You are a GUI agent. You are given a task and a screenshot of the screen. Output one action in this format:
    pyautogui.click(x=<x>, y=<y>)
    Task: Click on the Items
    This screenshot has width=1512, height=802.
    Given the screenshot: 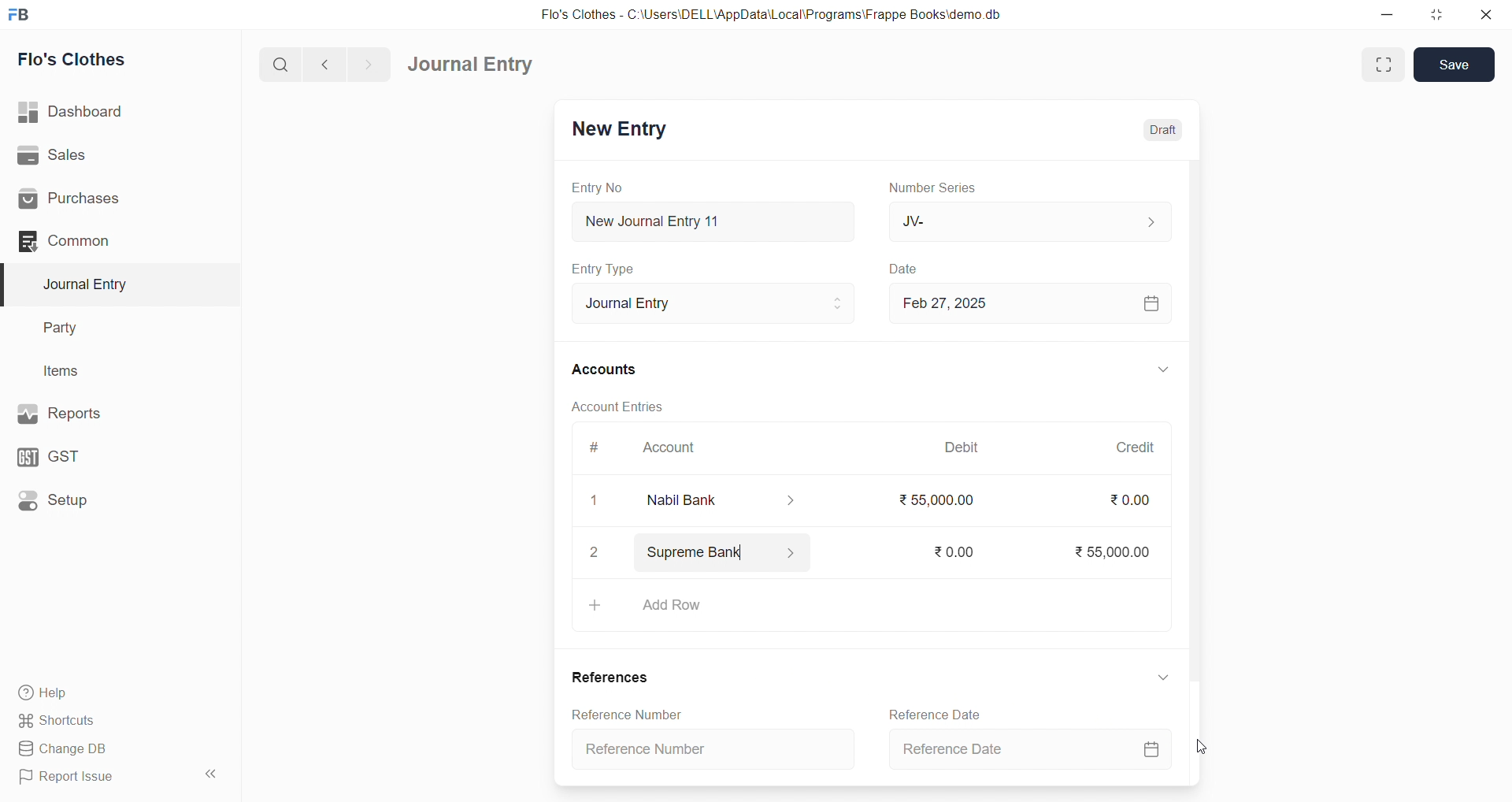 What is the action you would take?
    pyautogui.click(x=67, y=370)
    